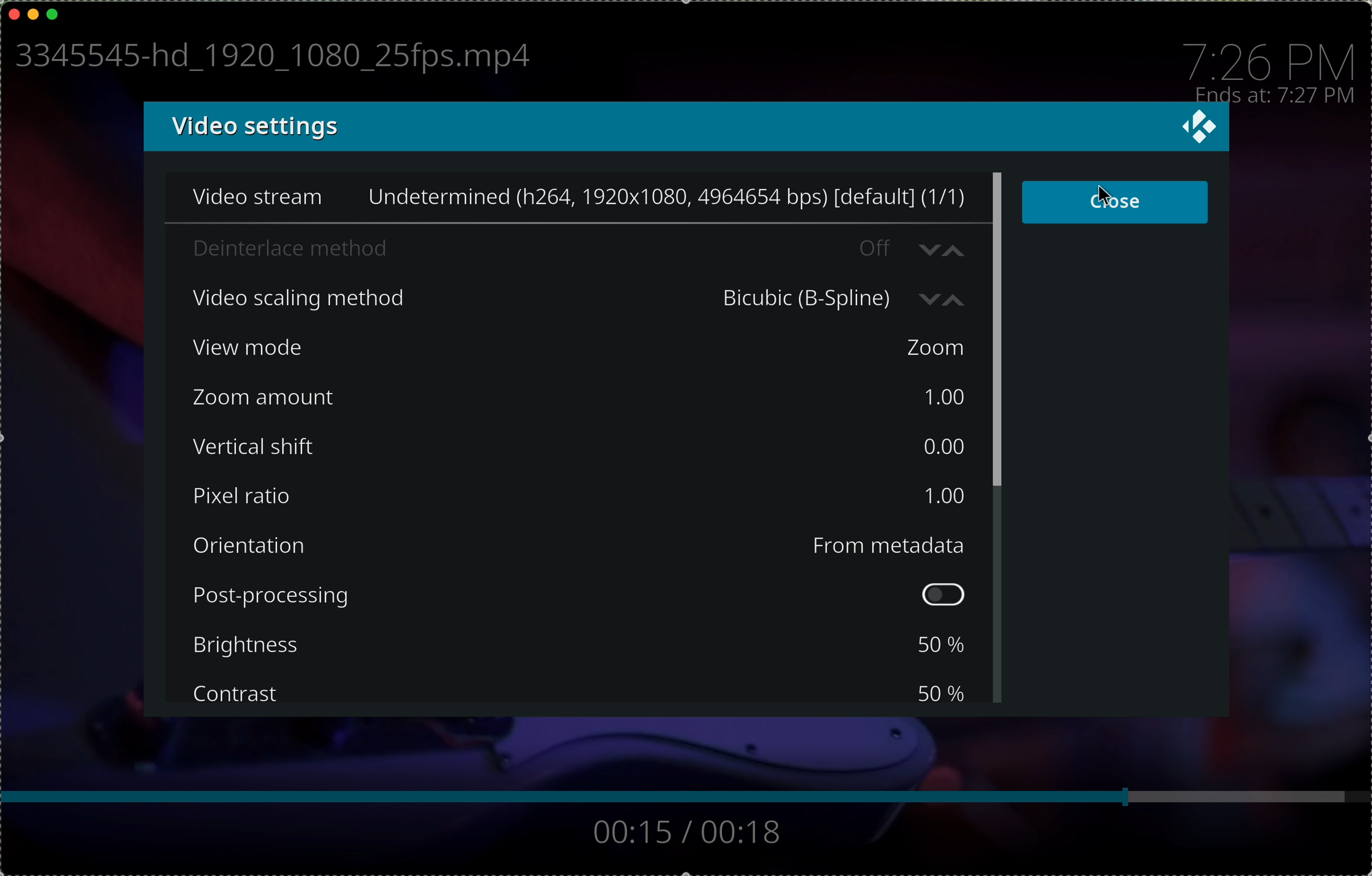 This screenshot has width=1372, height=876. What do you see at coordinates (264, 694) in the screenshot?
I see `Contrast` at bounding box center [264, 694].